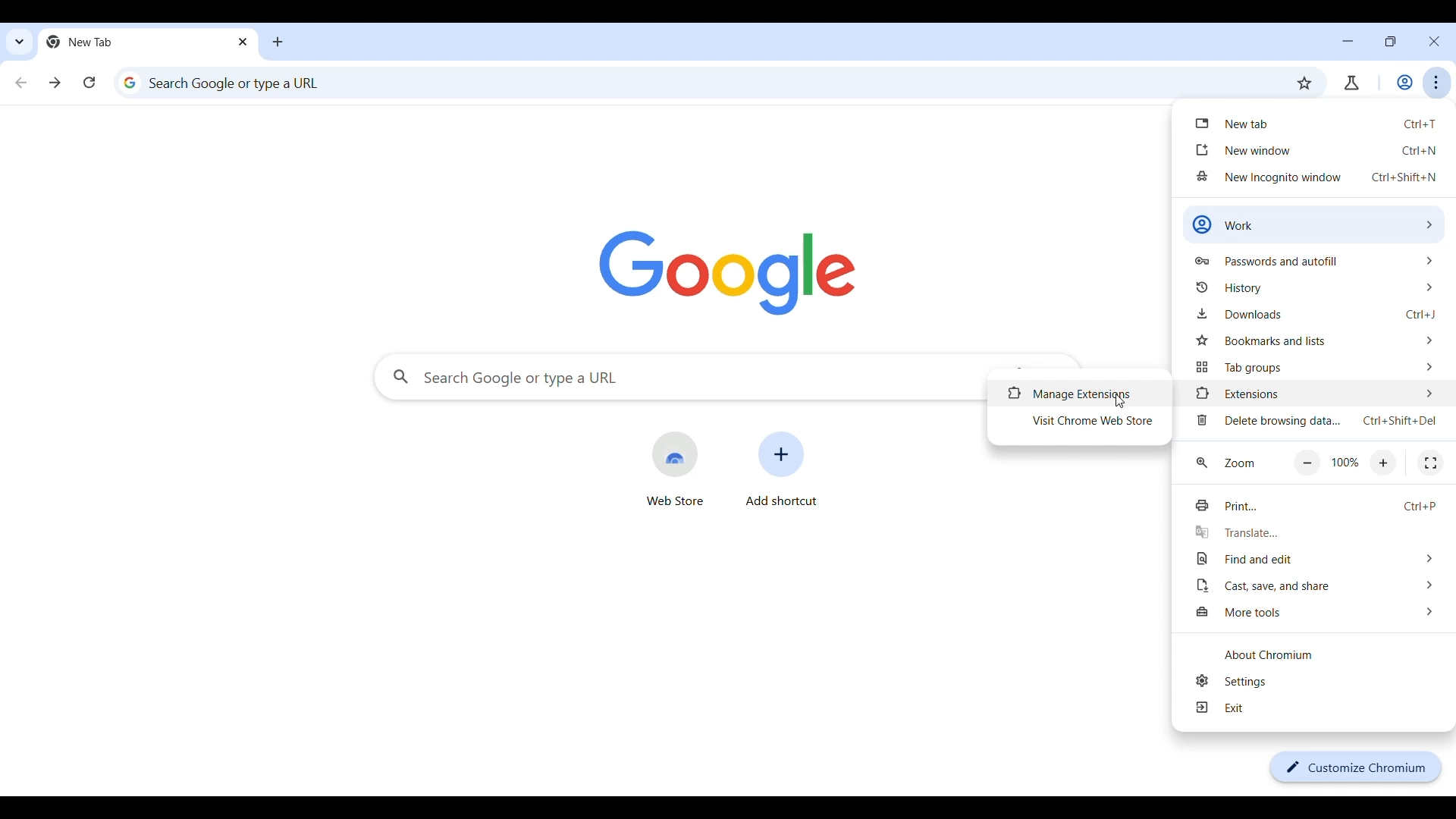 Image resolution: width=1456 pixels, height=819 pixels. What do you see at coordinates (1316, 340) in the screenshot?
I see `Bookmark and list options` at bounding box center [1316, 340].